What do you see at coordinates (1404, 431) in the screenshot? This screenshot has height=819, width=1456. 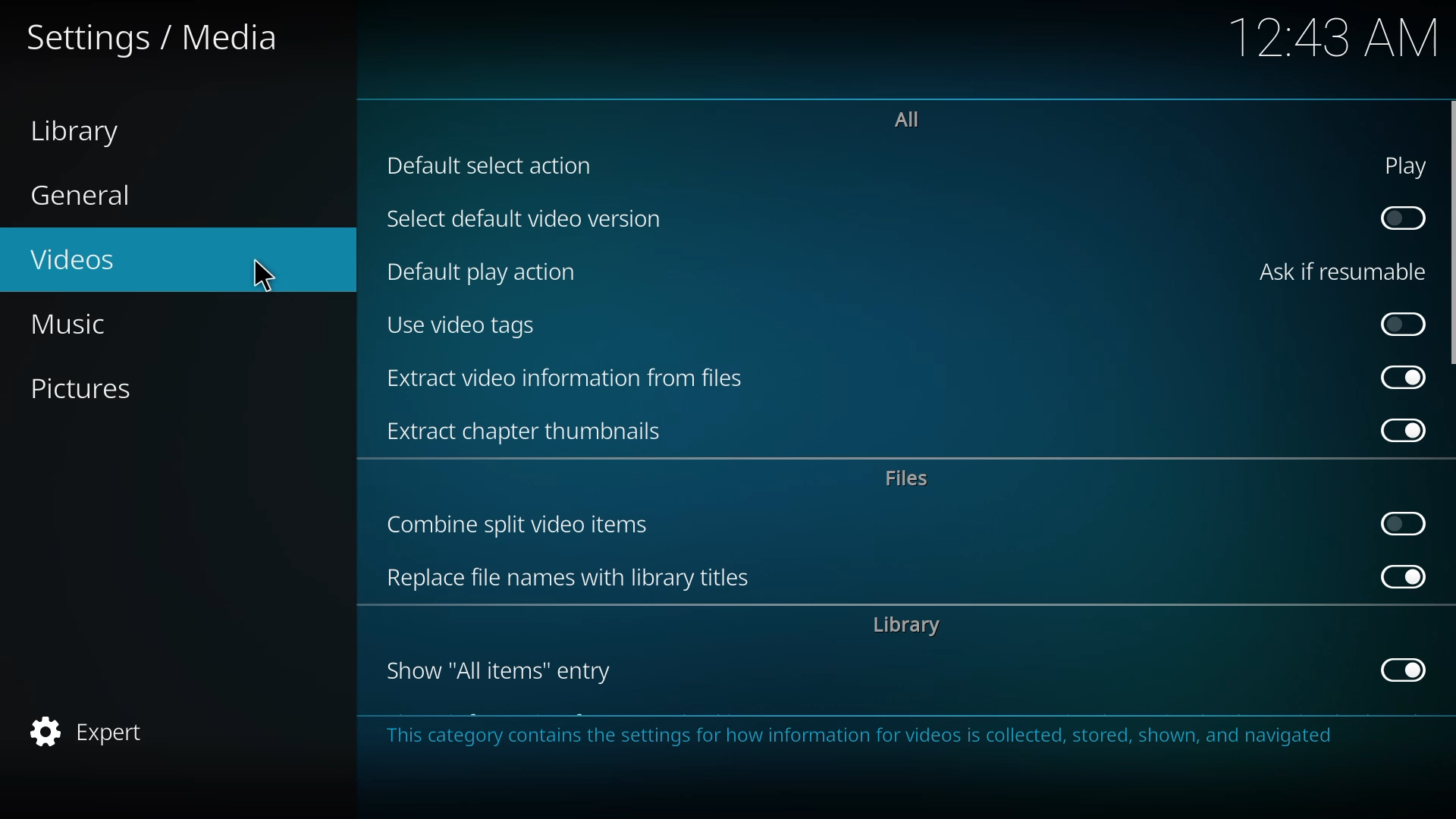 I see `enabled` at bounding box center [1404, 431].